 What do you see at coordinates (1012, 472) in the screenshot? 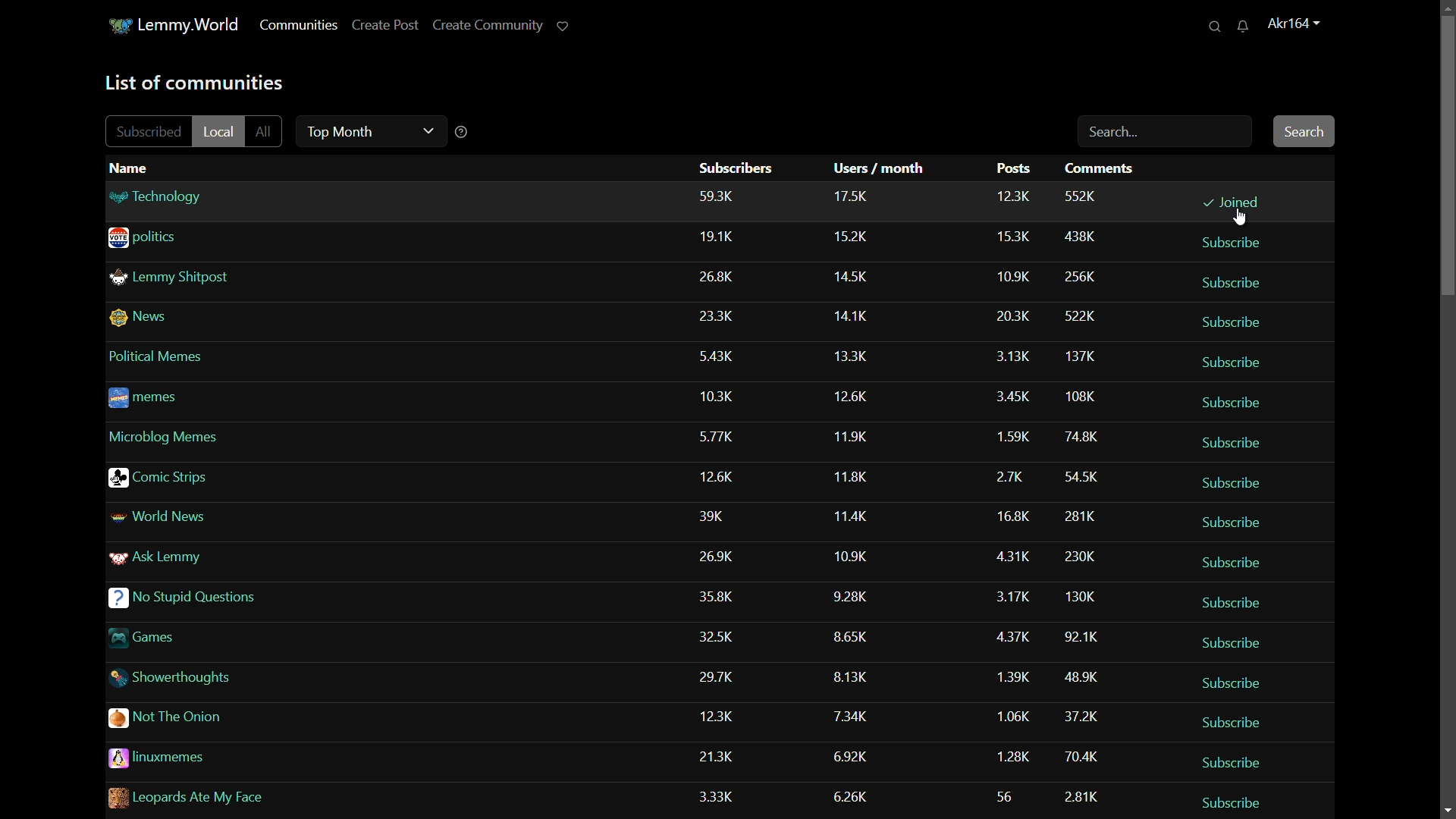
I see `posts` at bounding box center [1012, 472].